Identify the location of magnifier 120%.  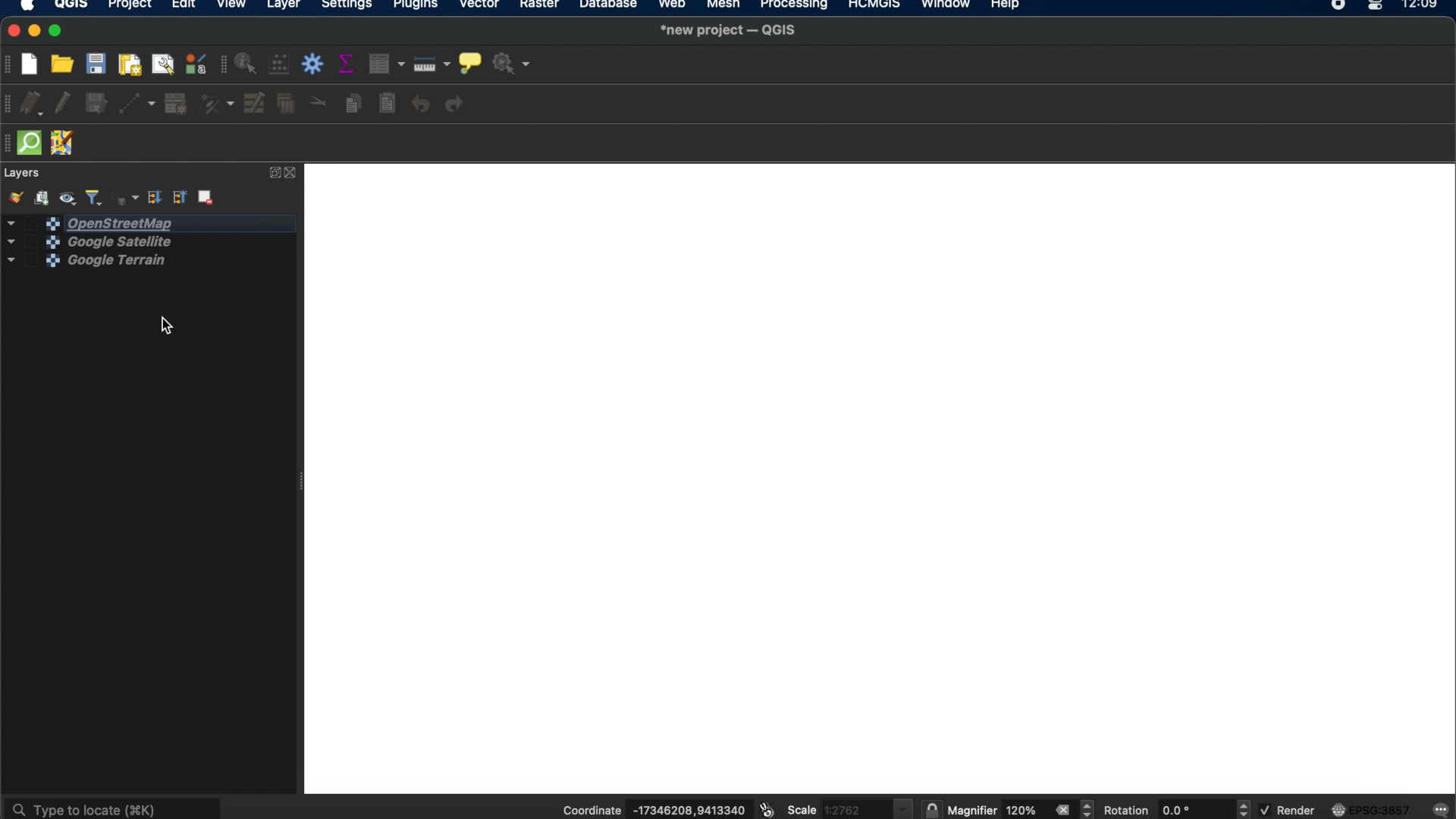
(996, 811).